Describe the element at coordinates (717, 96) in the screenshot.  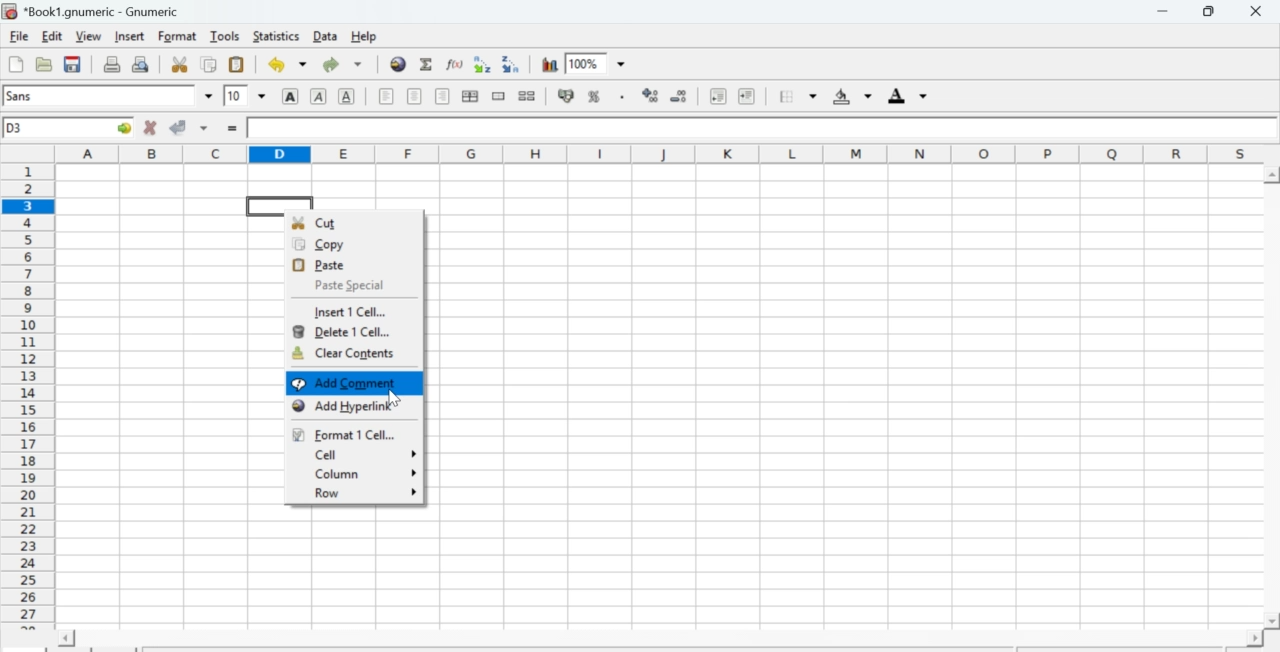
I see `Decrease indent` at that location.